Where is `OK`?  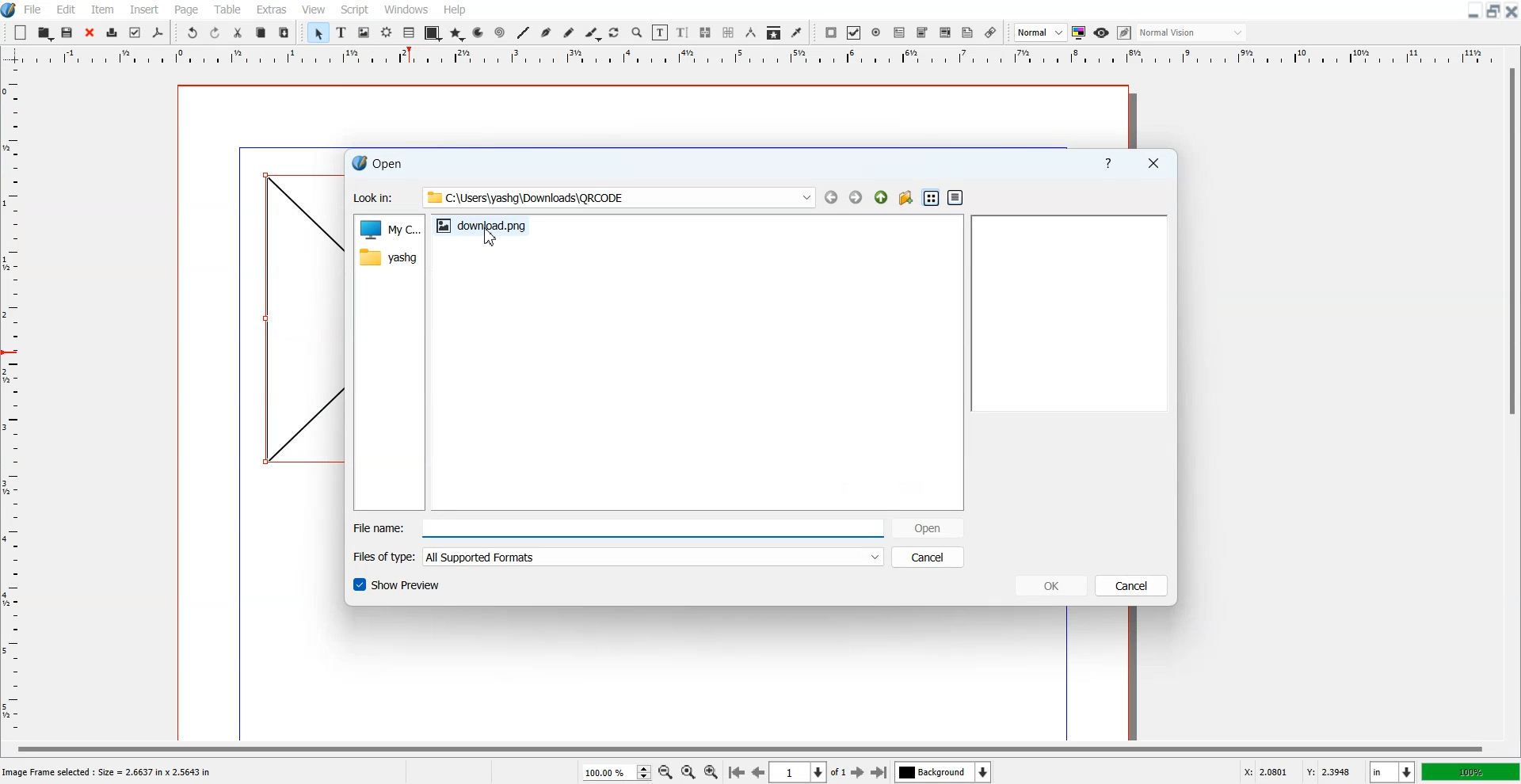 OK is located at coordinates (1050, 584).